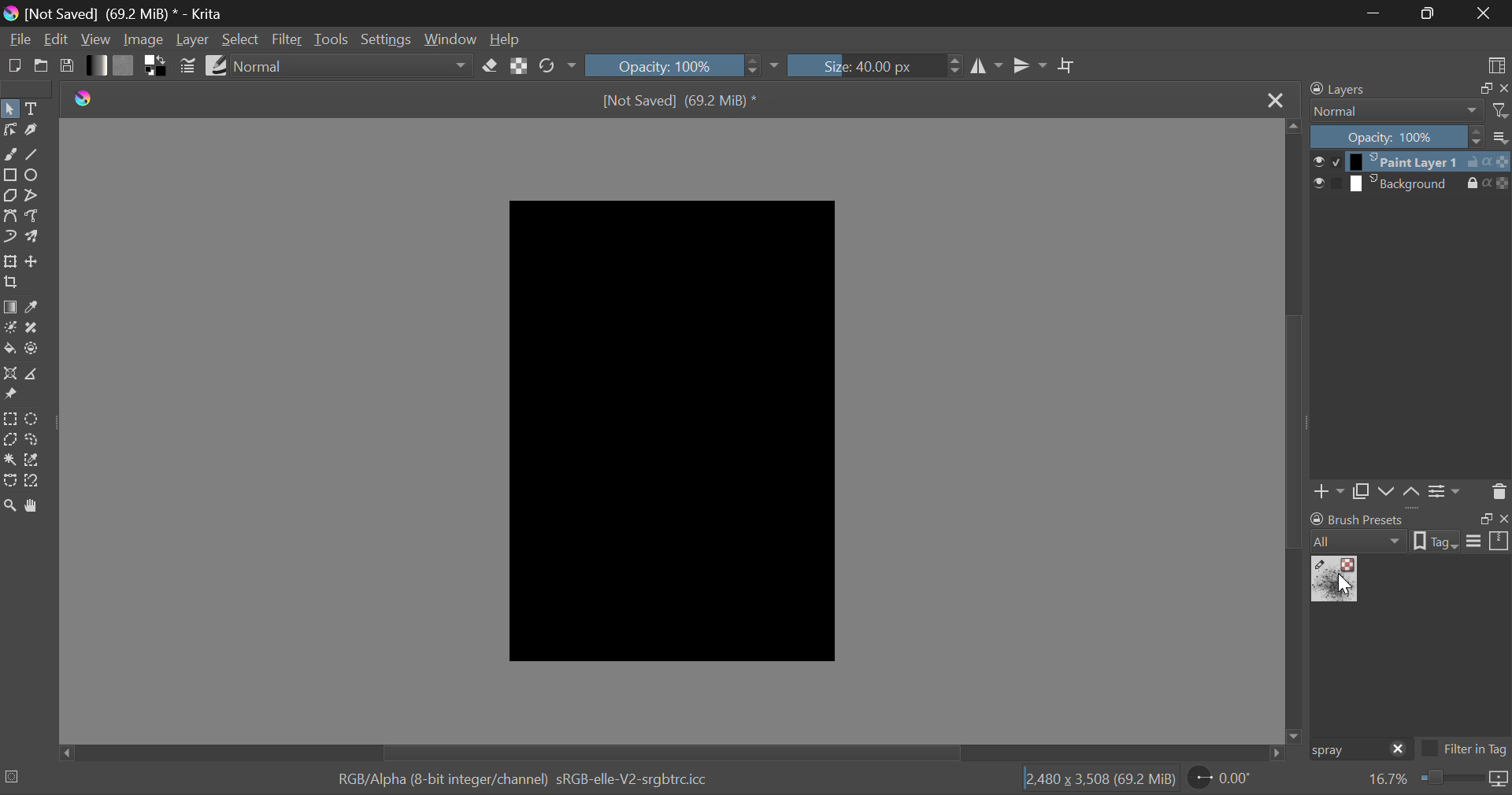  I want to click on Ellipses, so click(34, 176).